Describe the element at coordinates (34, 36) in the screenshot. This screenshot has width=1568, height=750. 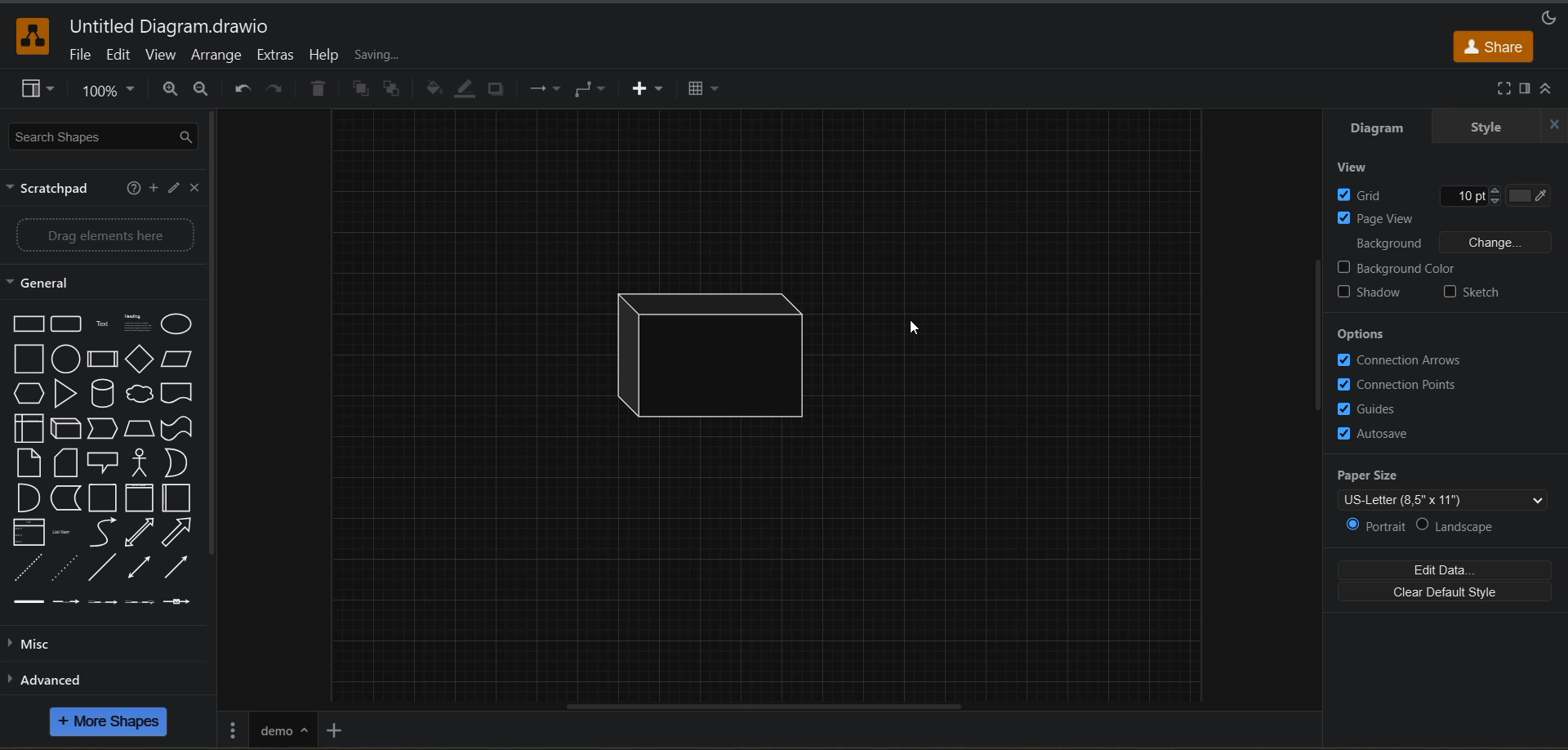
I see `app logo` at that location.